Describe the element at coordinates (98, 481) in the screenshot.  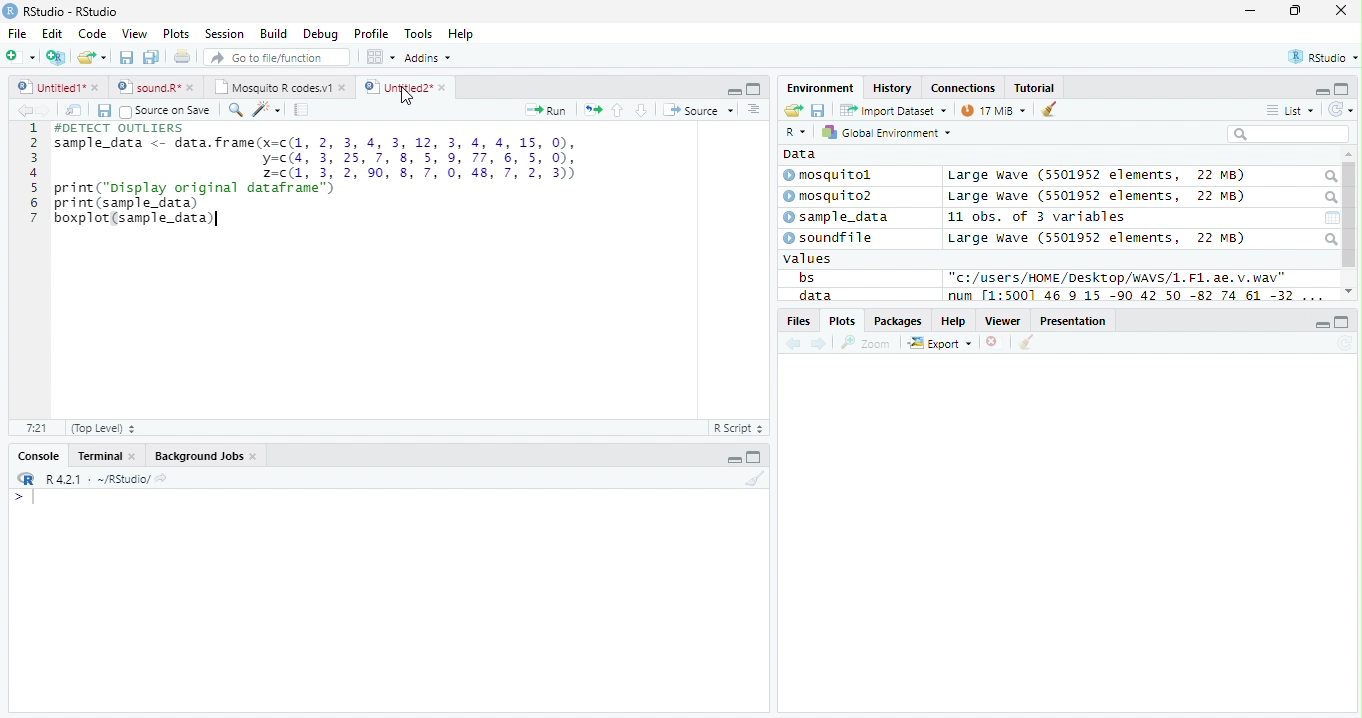
I see `R 4.2.1 - ~/RStudio/` at that location.